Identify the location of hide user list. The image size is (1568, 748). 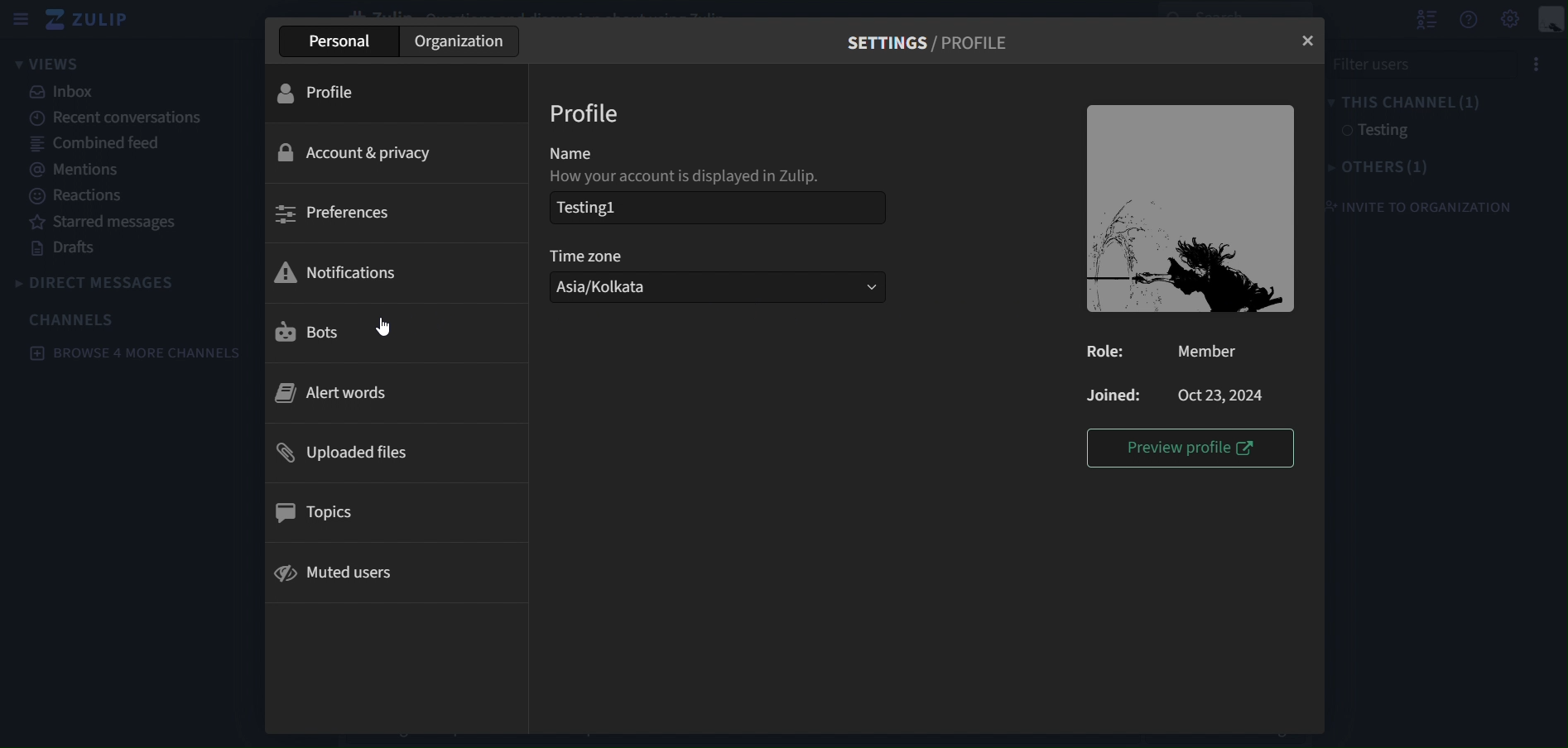
(1426, 19).